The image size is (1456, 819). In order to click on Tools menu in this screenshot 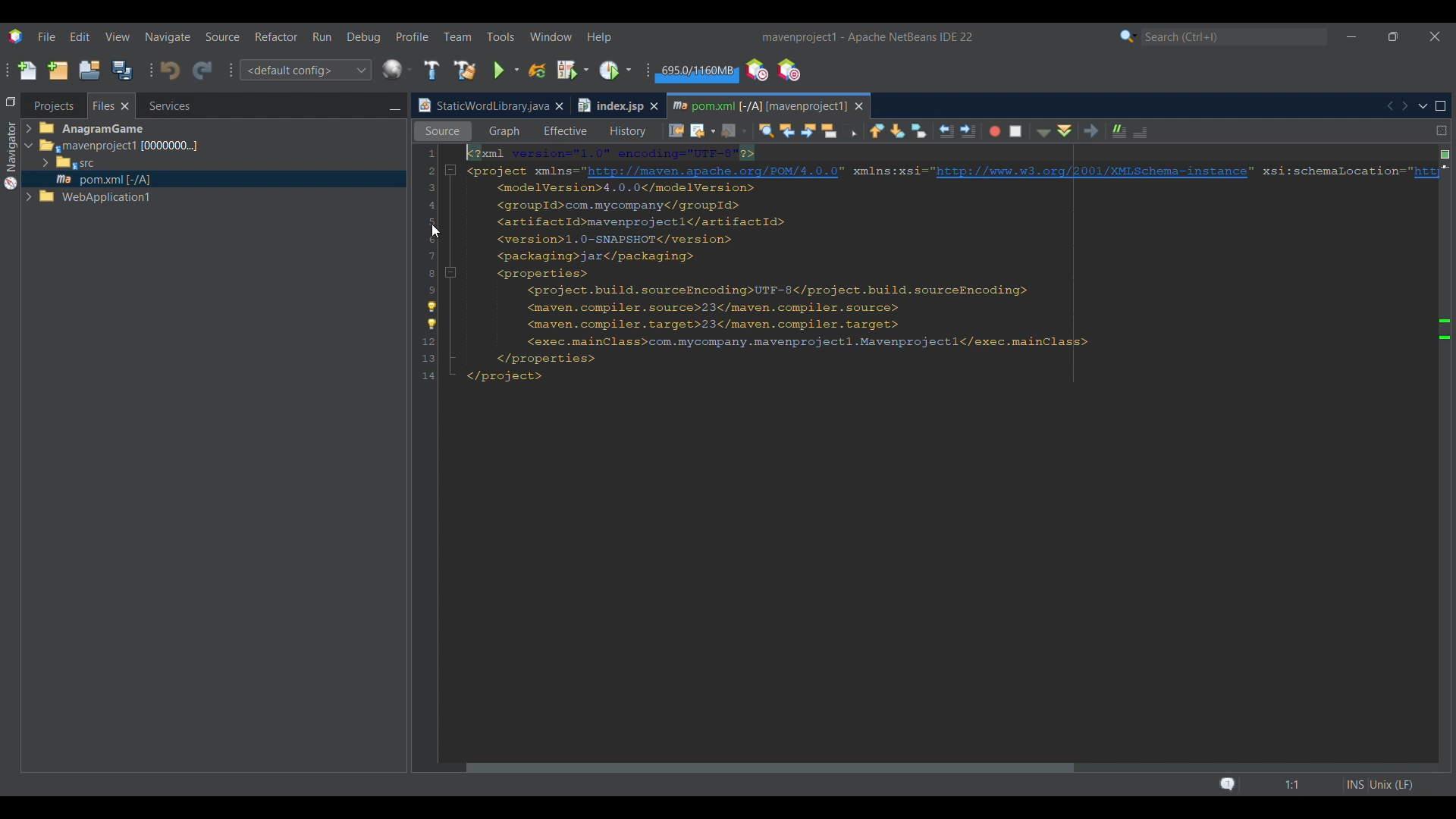, I will do `click(500, 36)`.